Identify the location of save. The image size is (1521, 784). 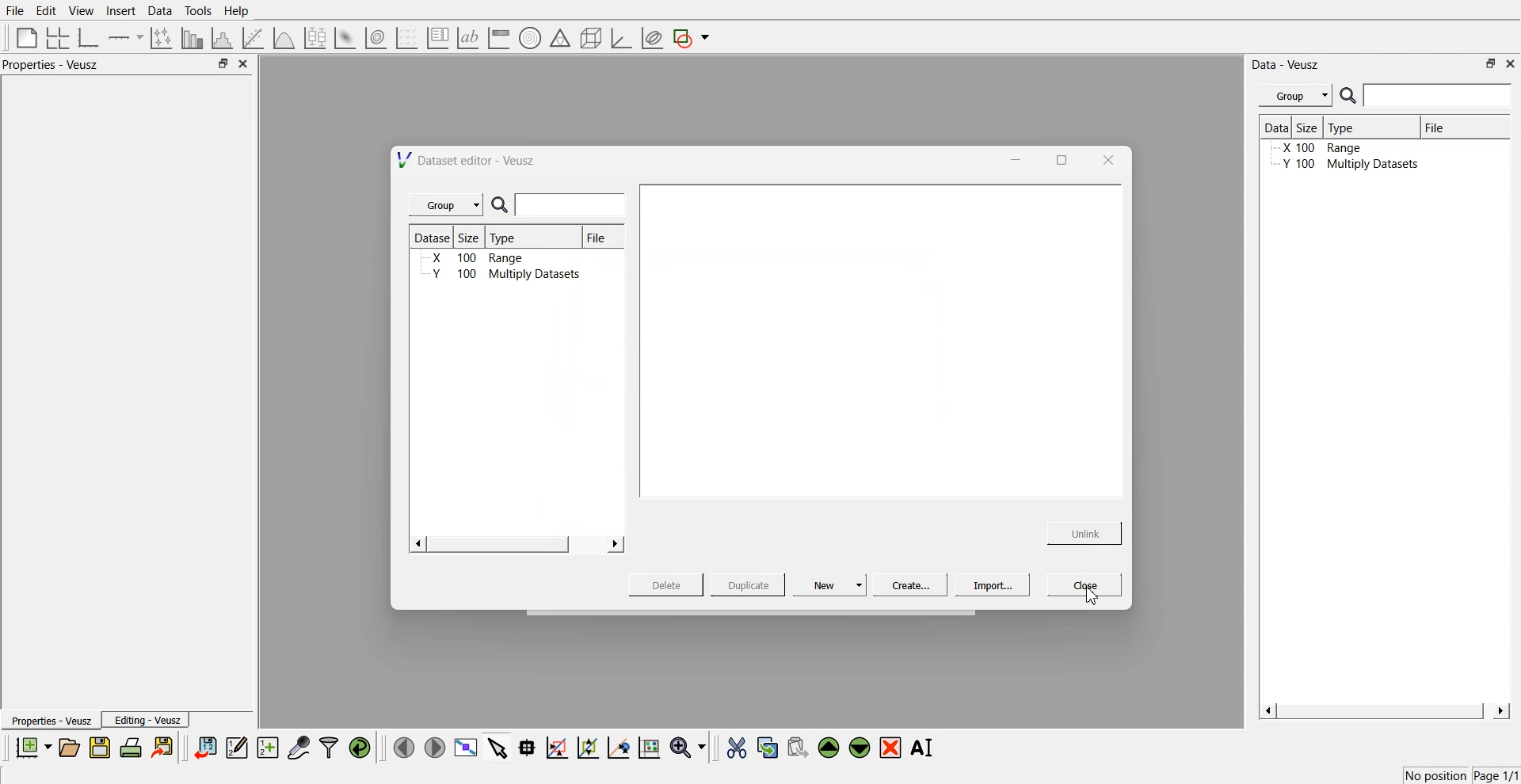
(102, 748).